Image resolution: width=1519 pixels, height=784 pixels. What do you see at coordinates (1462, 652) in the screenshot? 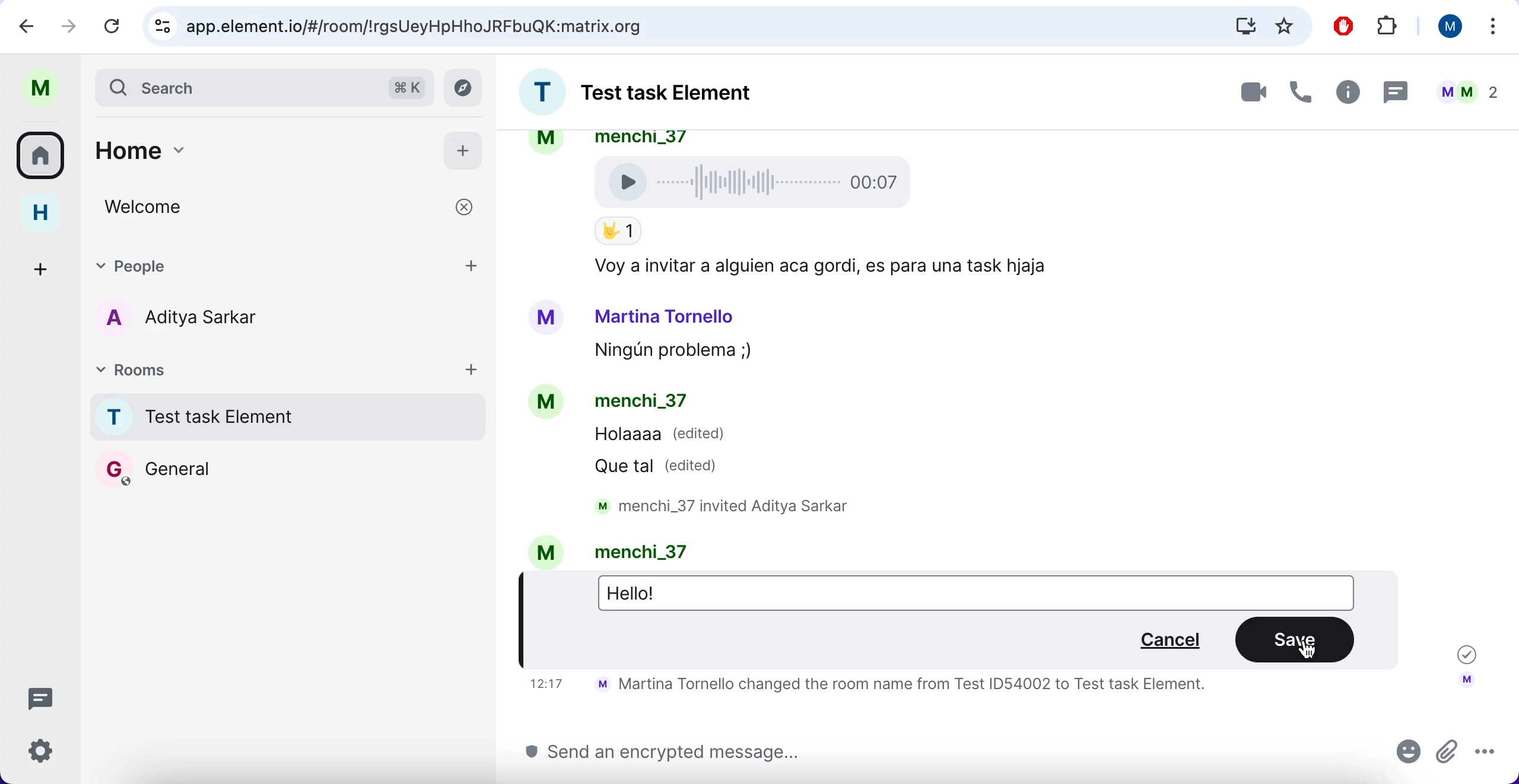
I see `message sent` at bounding box center [1462, 652].